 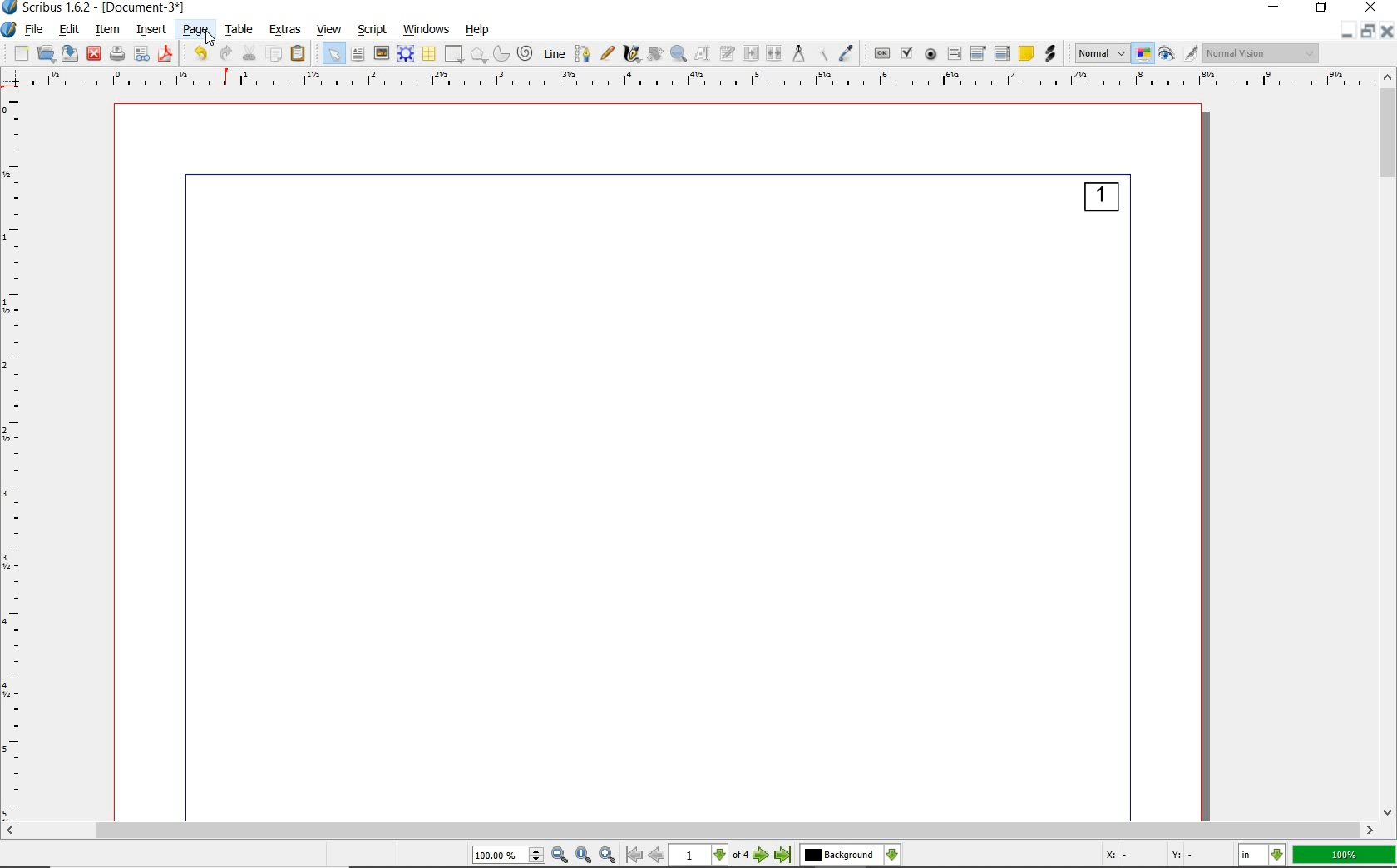 I want to click on system logo, so click(x=9, y=31).